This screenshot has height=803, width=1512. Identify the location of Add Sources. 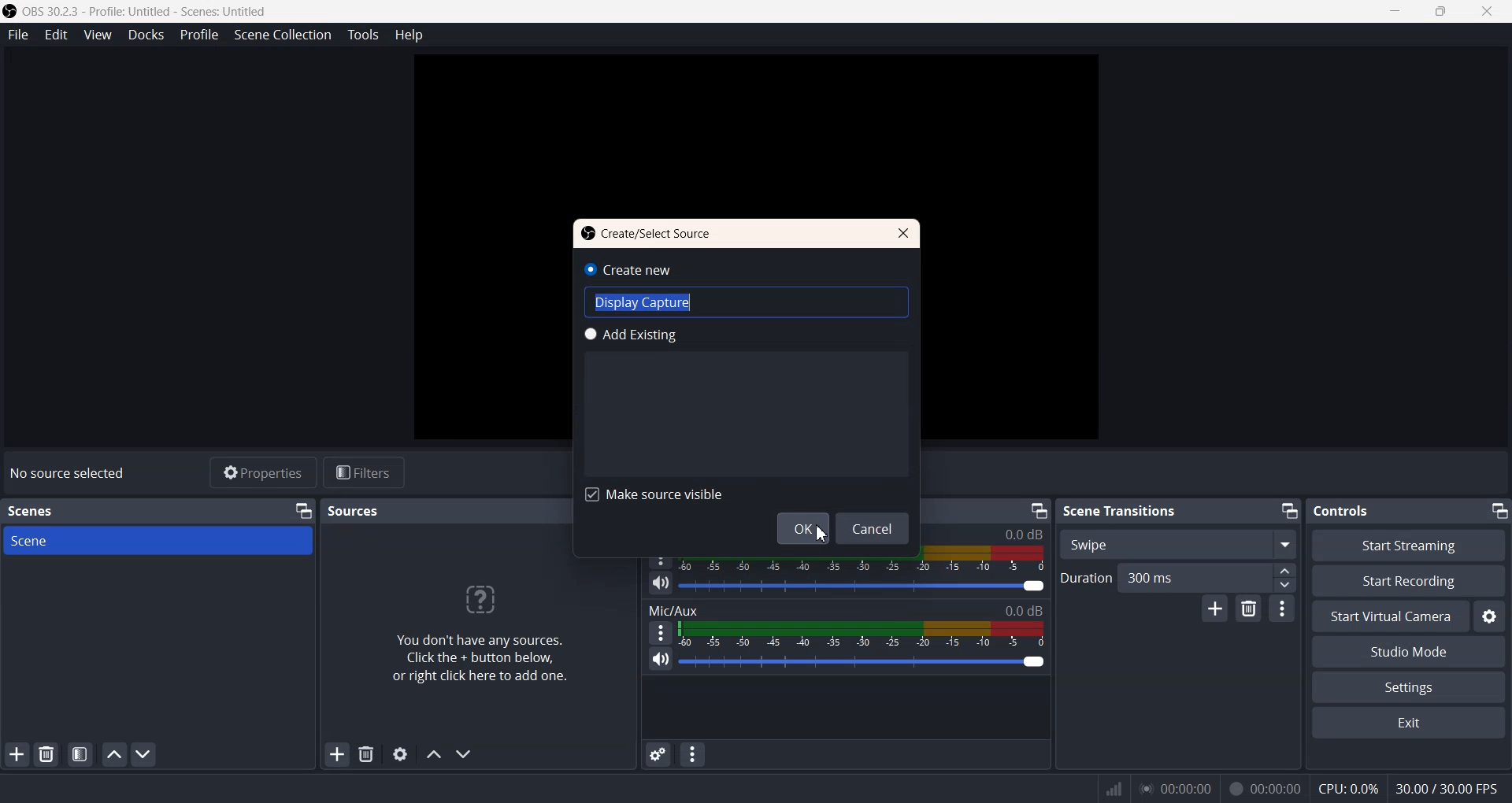
(337, 754).